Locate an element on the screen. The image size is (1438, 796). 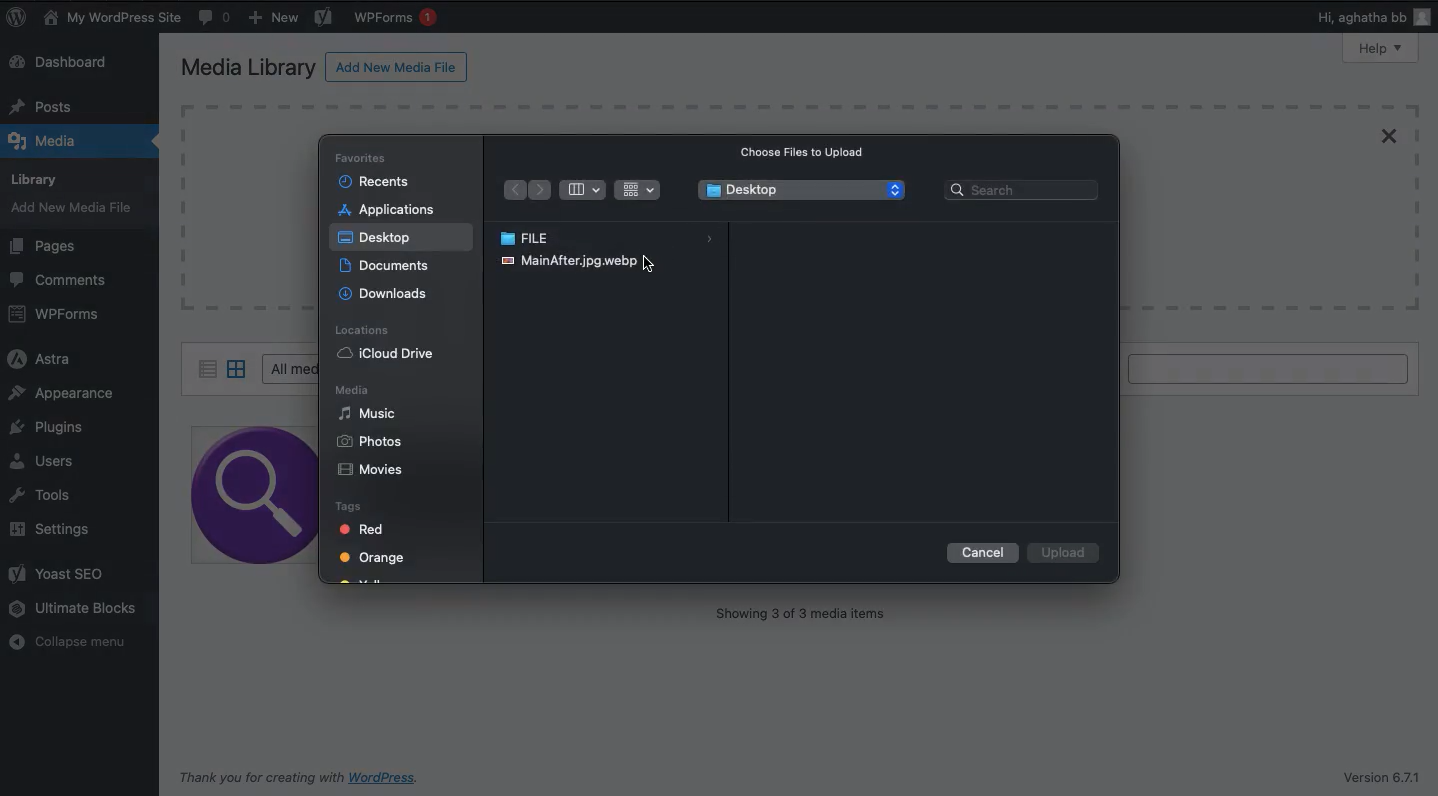
Thank you for creating with WordPress is located at coordinates (300, 779).